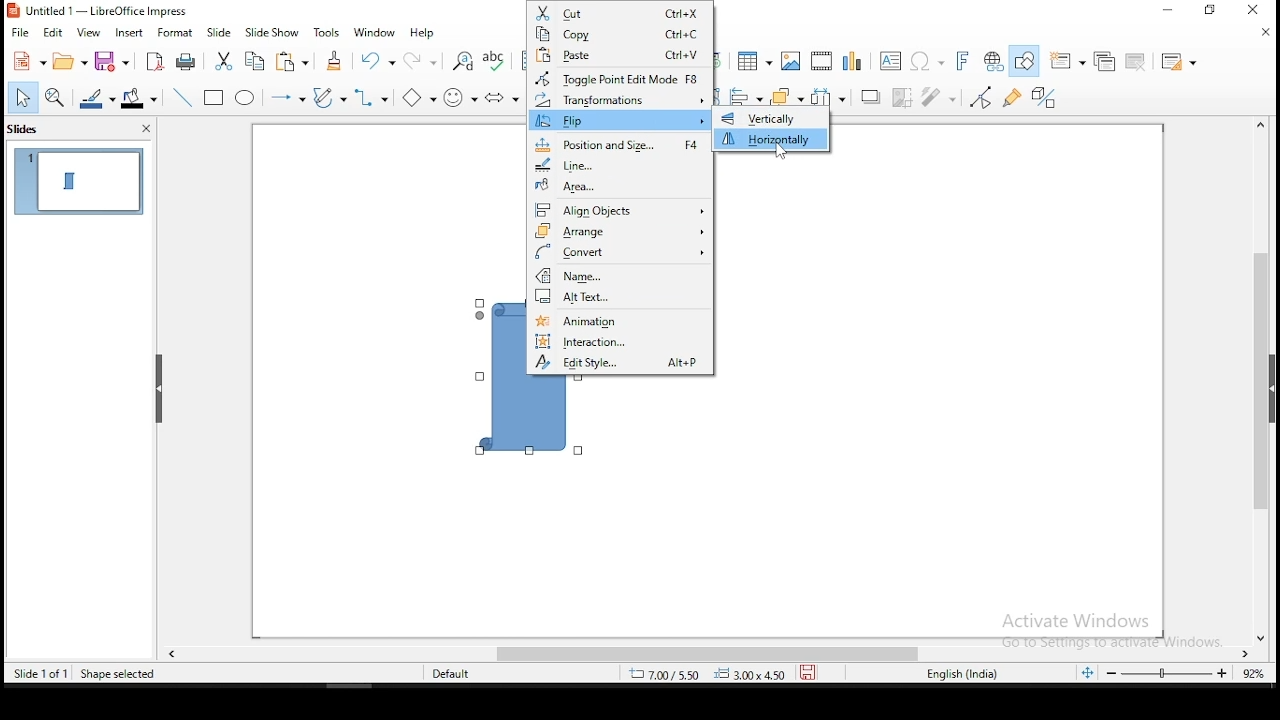 The image size is (1280, 720). I want to click on slide show, so click(274, 34).